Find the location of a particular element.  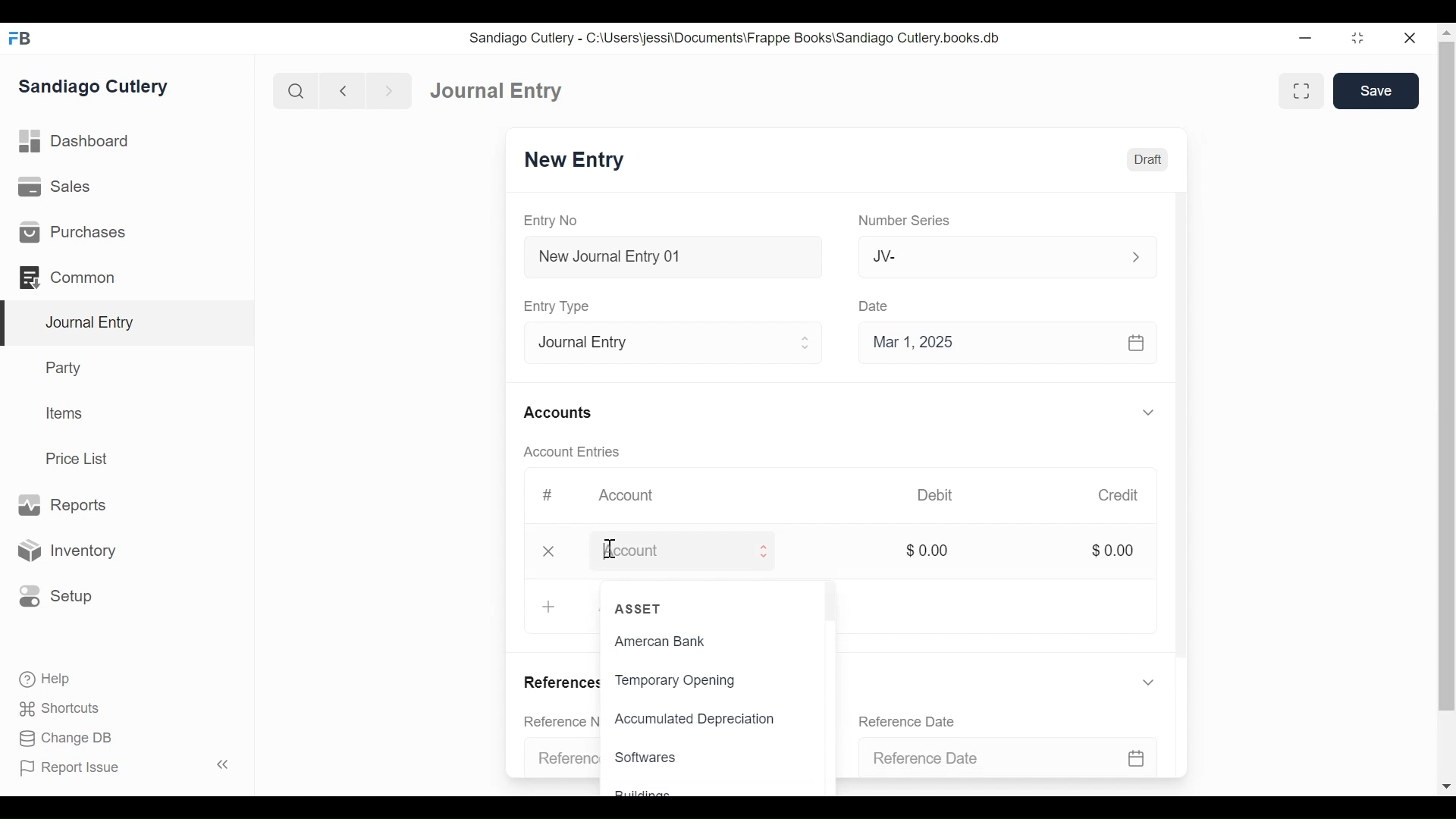

collapse sidebar is located at coordinates (220, 764).